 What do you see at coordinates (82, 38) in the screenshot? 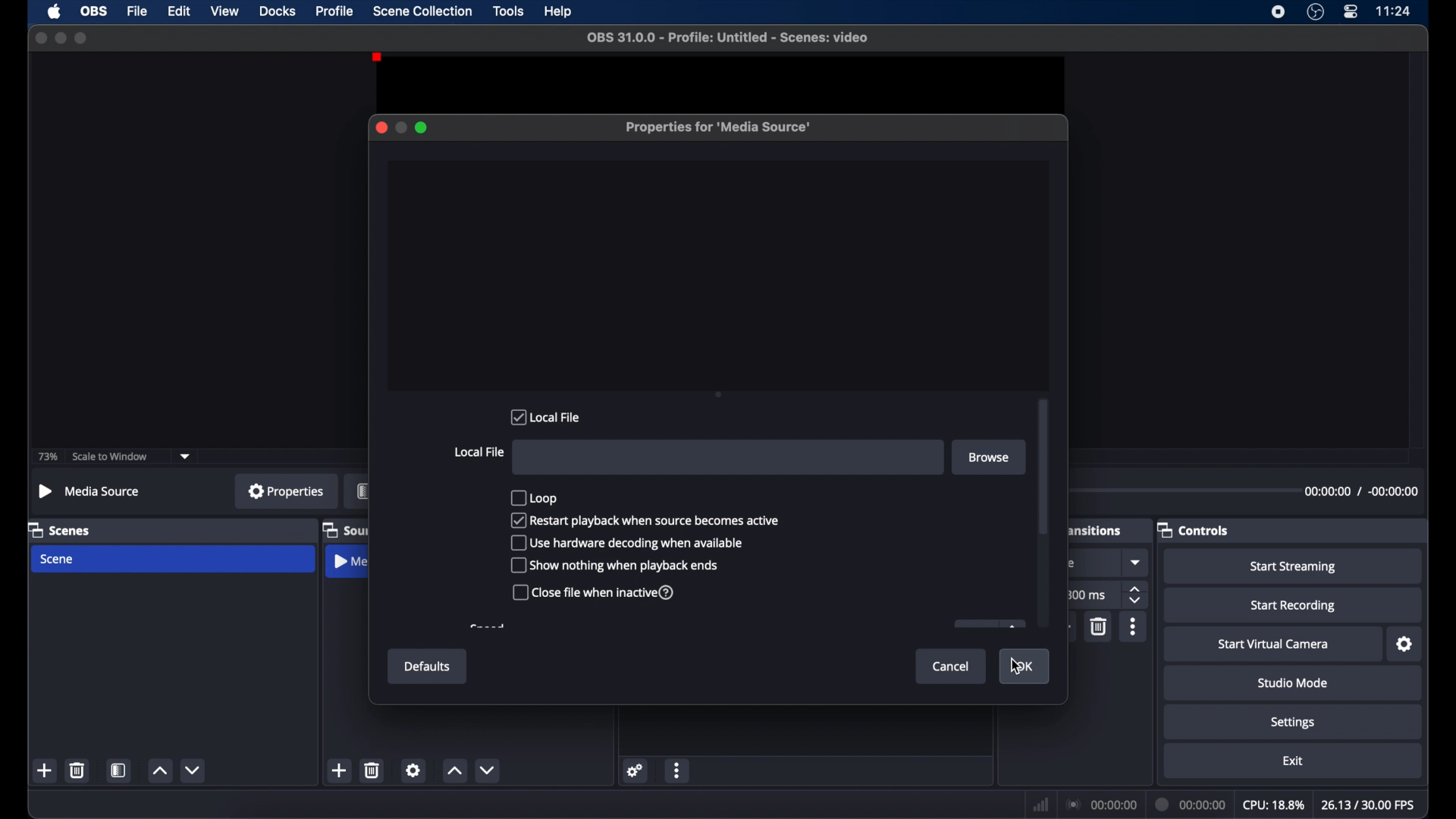
I see `maximize` at bounding box center [82, 38].